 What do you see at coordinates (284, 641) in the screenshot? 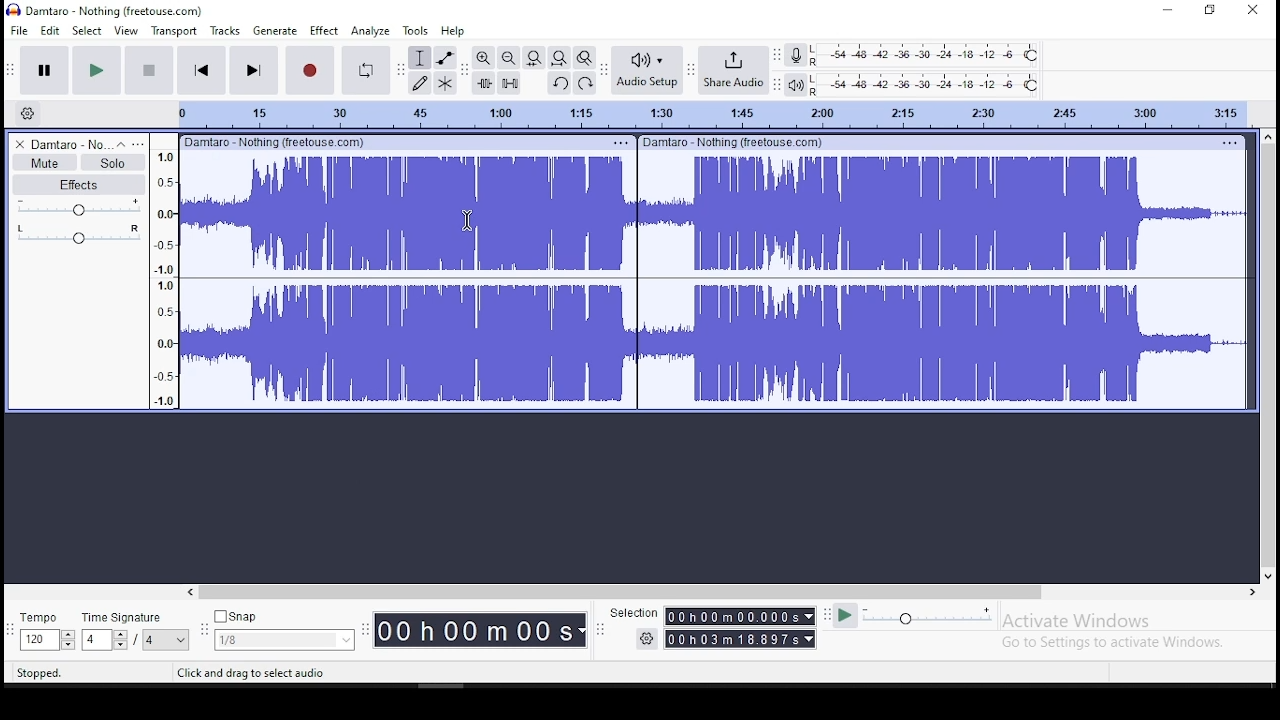
I see `snap` at bounding box center [284, 641].